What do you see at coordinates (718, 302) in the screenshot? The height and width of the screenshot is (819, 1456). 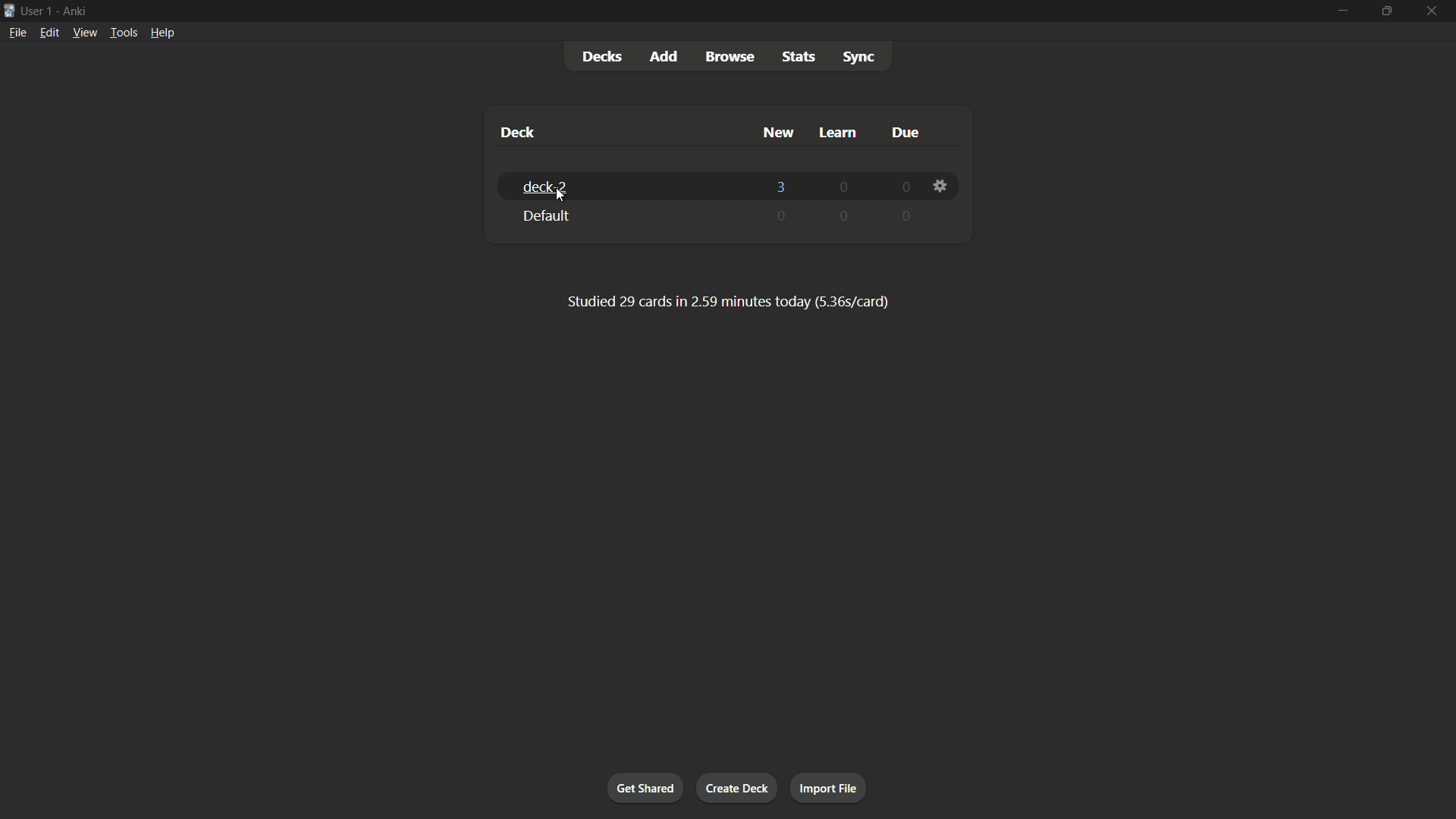 I see `text` at bounding box center [718, 302].